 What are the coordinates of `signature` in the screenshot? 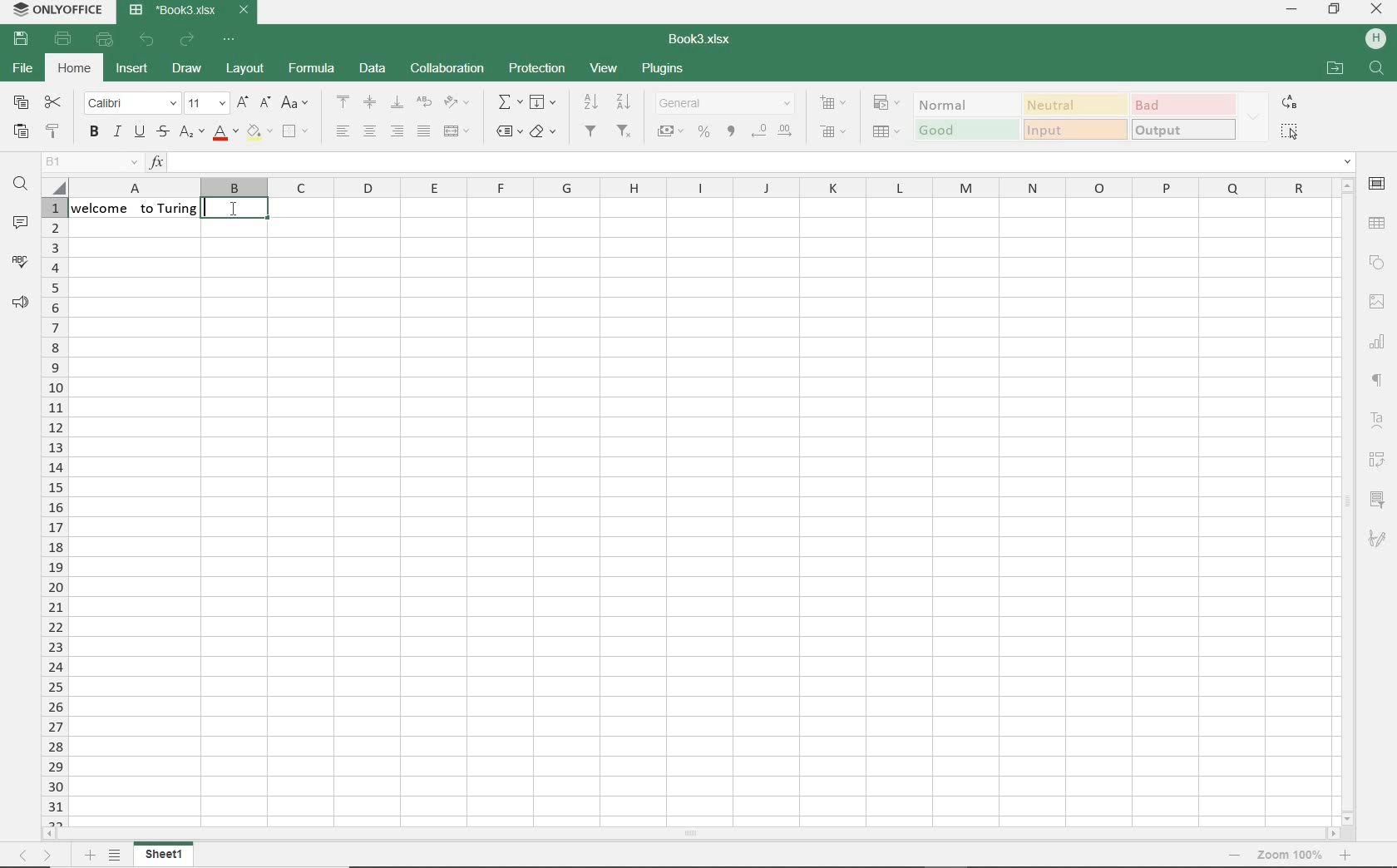 It's located at (1380, 537).